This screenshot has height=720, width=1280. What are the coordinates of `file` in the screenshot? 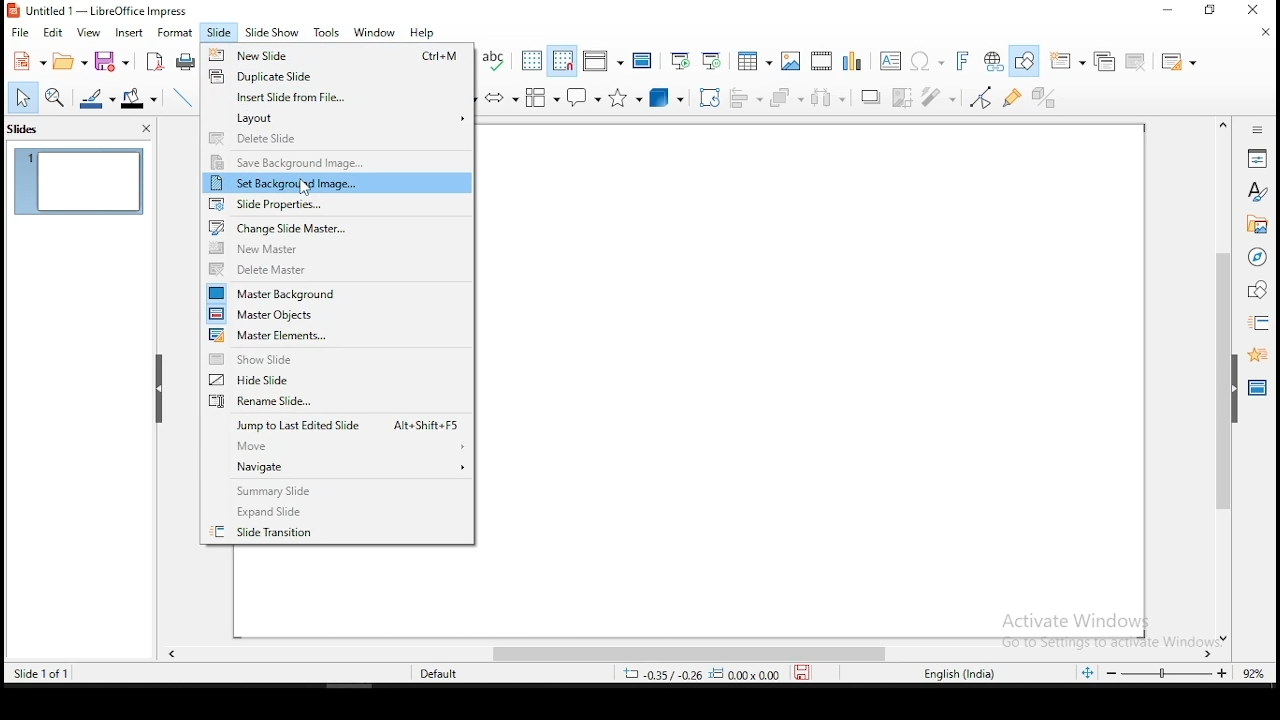 It's located at (19, 33).